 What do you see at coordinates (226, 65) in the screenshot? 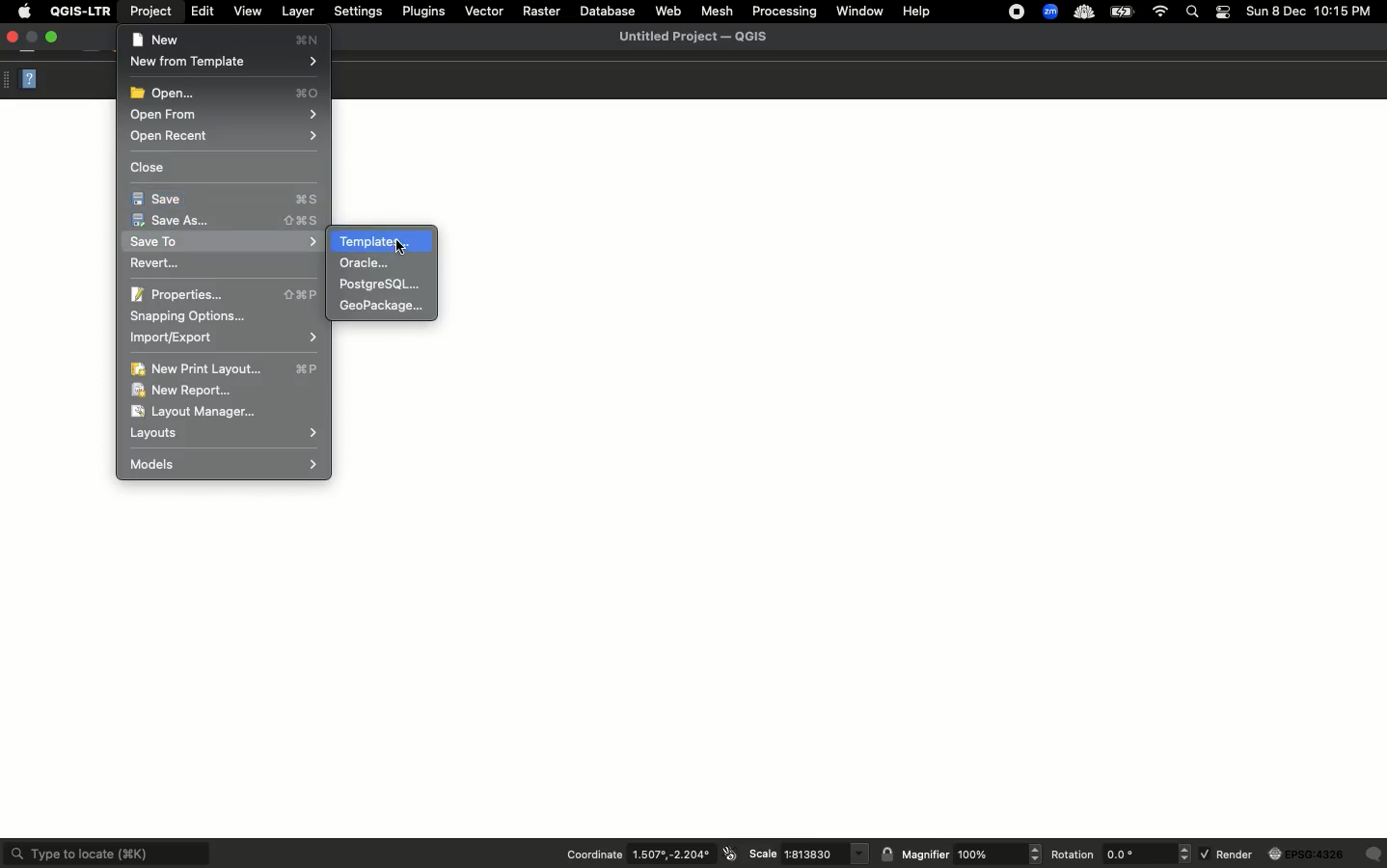
I see `New from template` at bounding box center [226, 65].